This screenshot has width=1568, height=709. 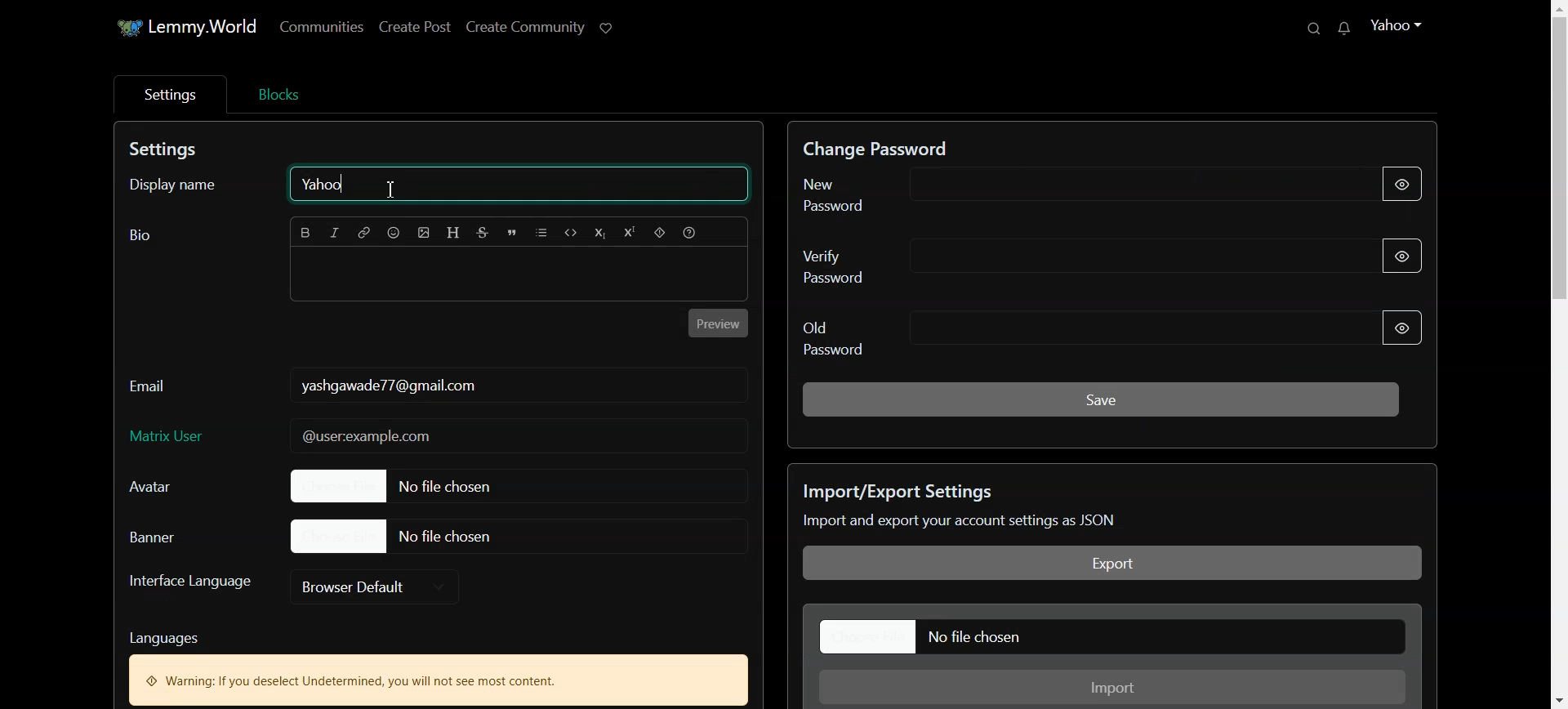 What do you see at coordinates (1402, 328) in the screenshot?
I see `Hide Password` at bounding box center [1402, 328].